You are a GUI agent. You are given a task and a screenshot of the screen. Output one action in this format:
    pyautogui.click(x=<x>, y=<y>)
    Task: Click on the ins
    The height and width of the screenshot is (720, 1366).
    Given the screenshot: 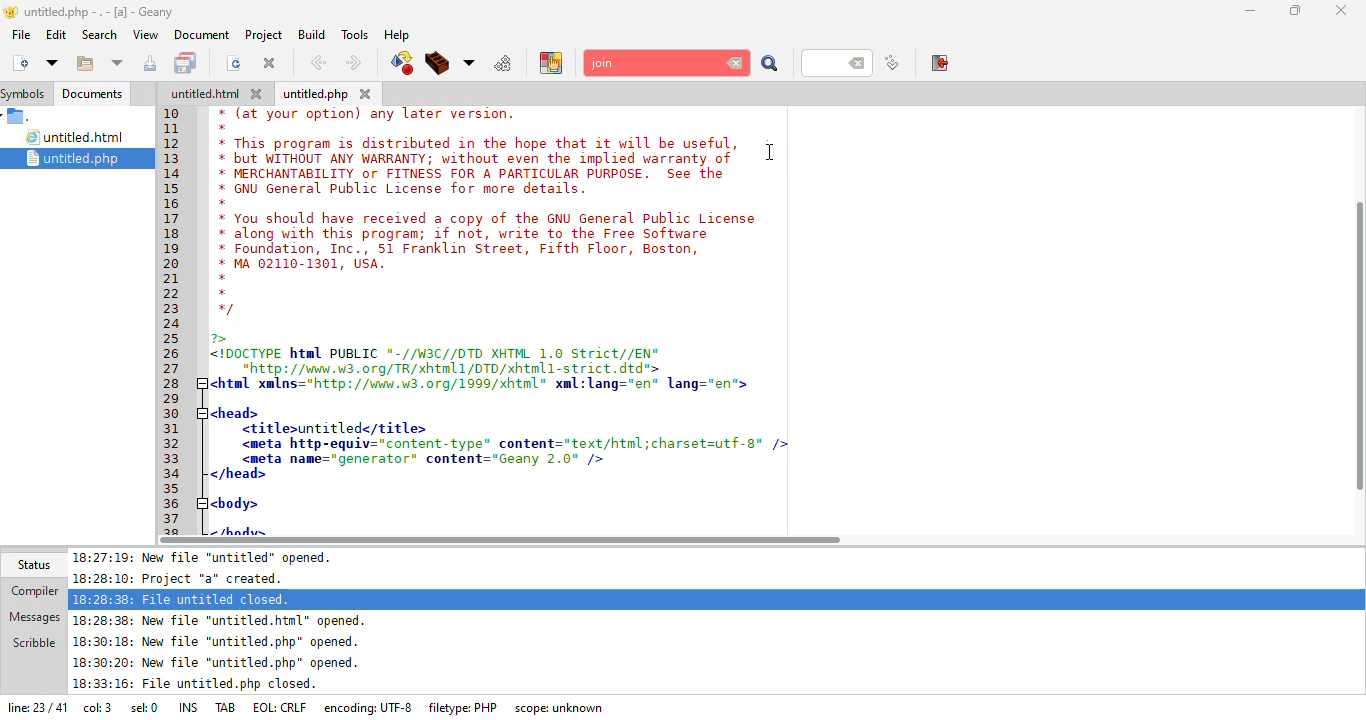 What is the action you would take?
    pyautogui.click(x=191, y=706)
    